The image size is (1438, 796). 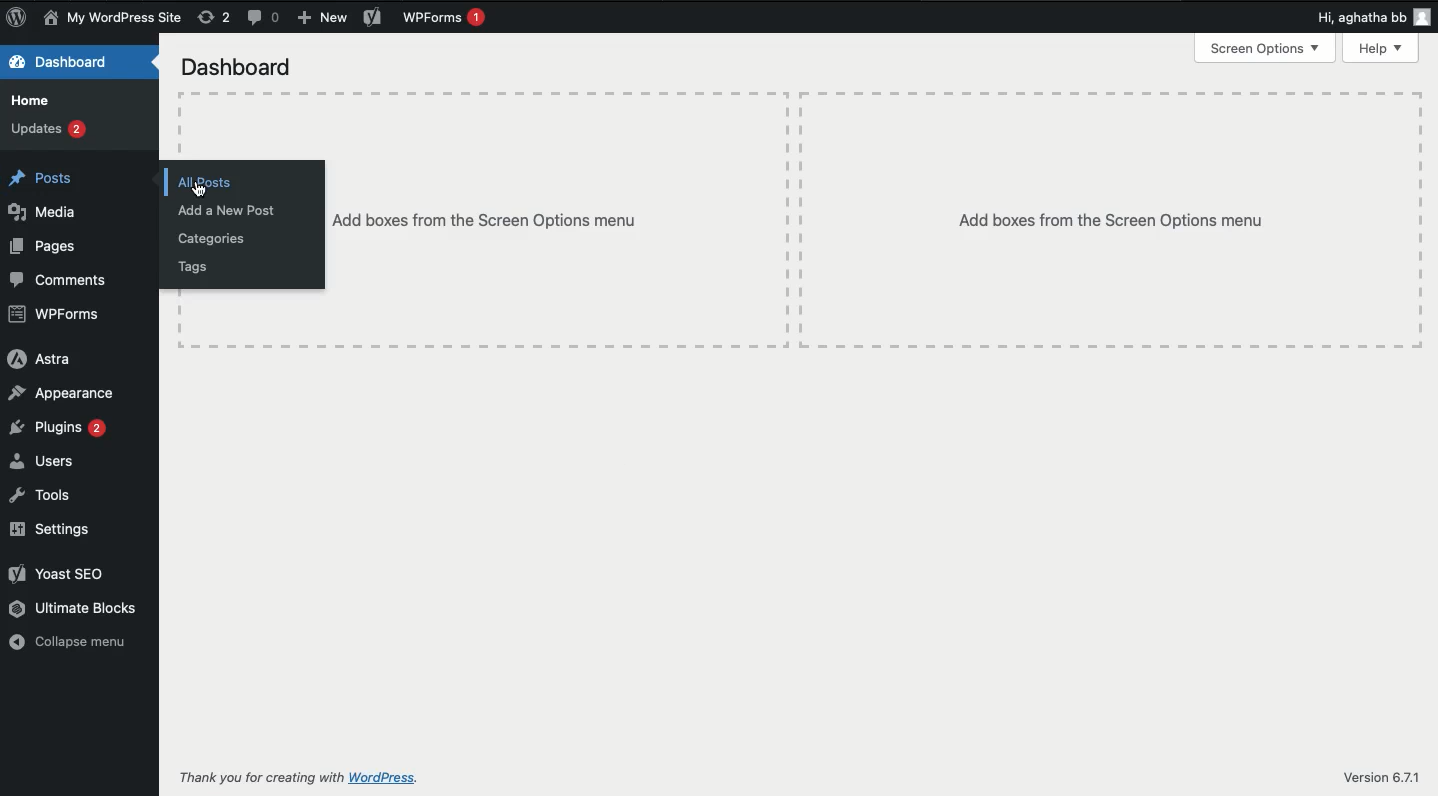 I want to click on Add boxes from the screen options menu, so click(x=1111, y=220).